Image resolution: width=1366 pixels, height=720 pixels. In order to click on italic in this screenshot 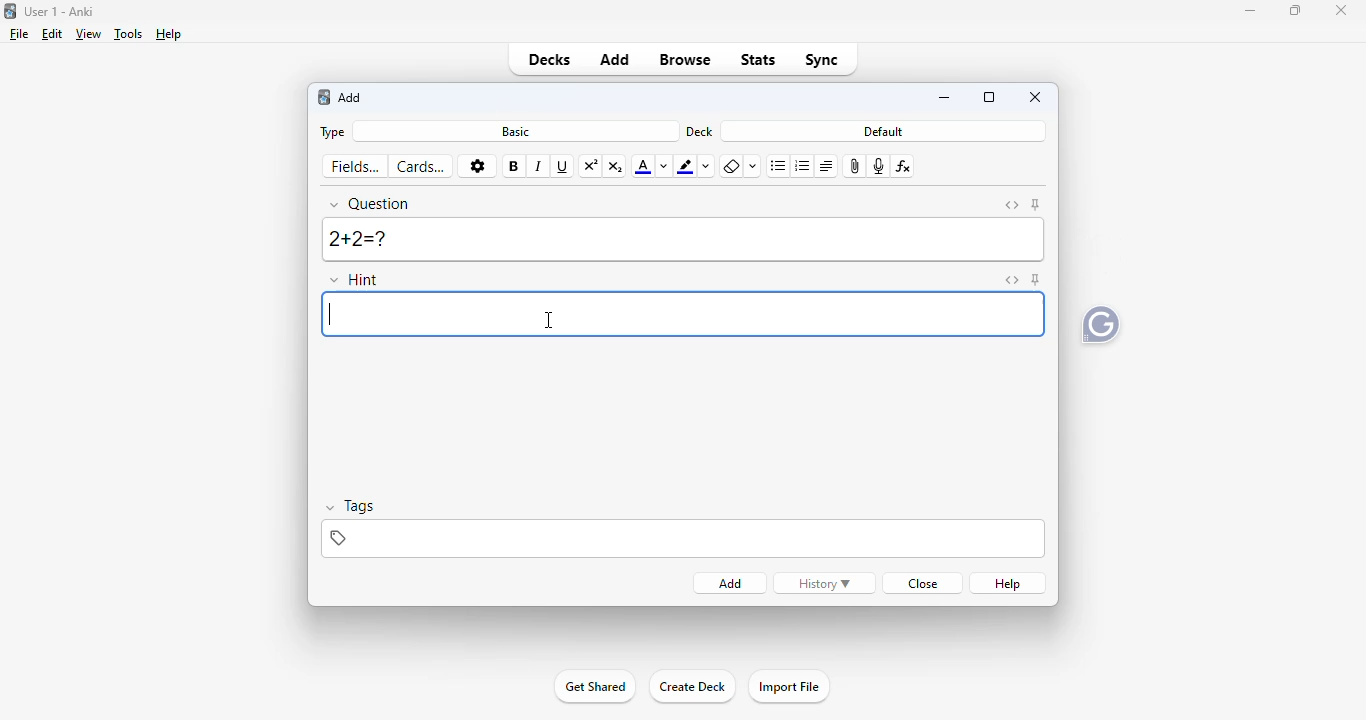, I will do `click(539, 167)`.